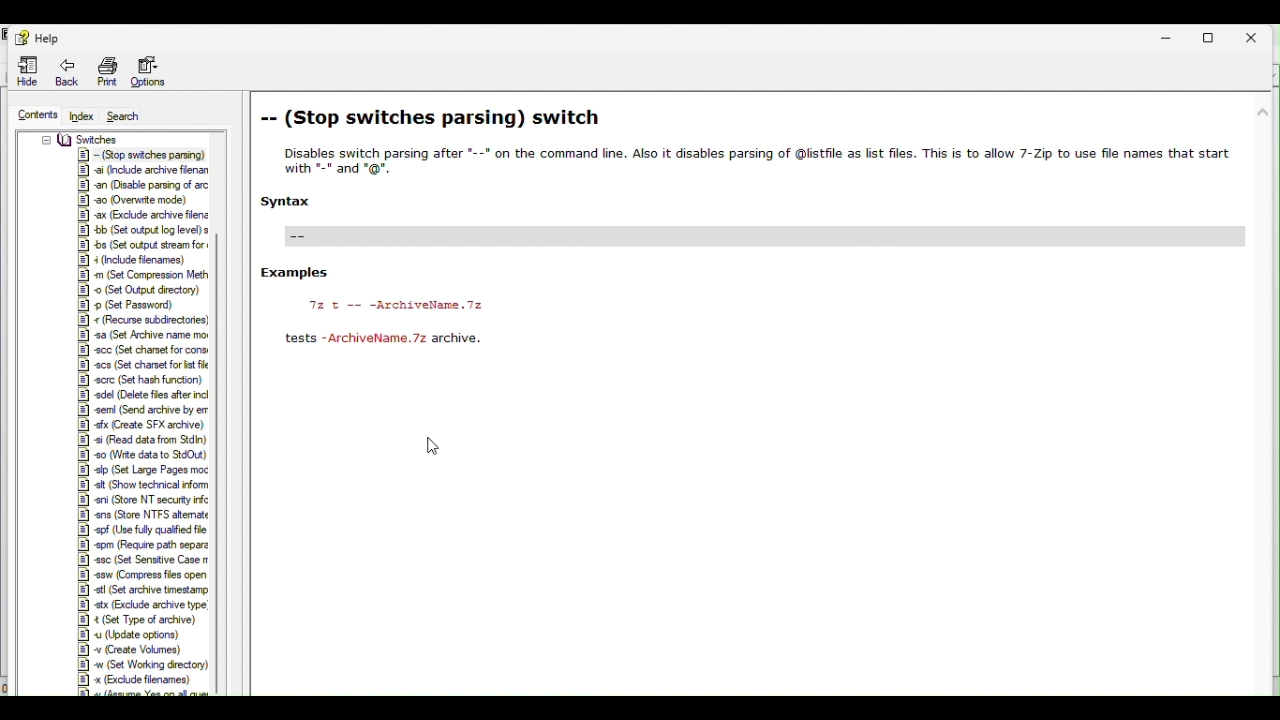  Describe the element at coordinates (144, 484) in the screenshot. I see `` at that location.